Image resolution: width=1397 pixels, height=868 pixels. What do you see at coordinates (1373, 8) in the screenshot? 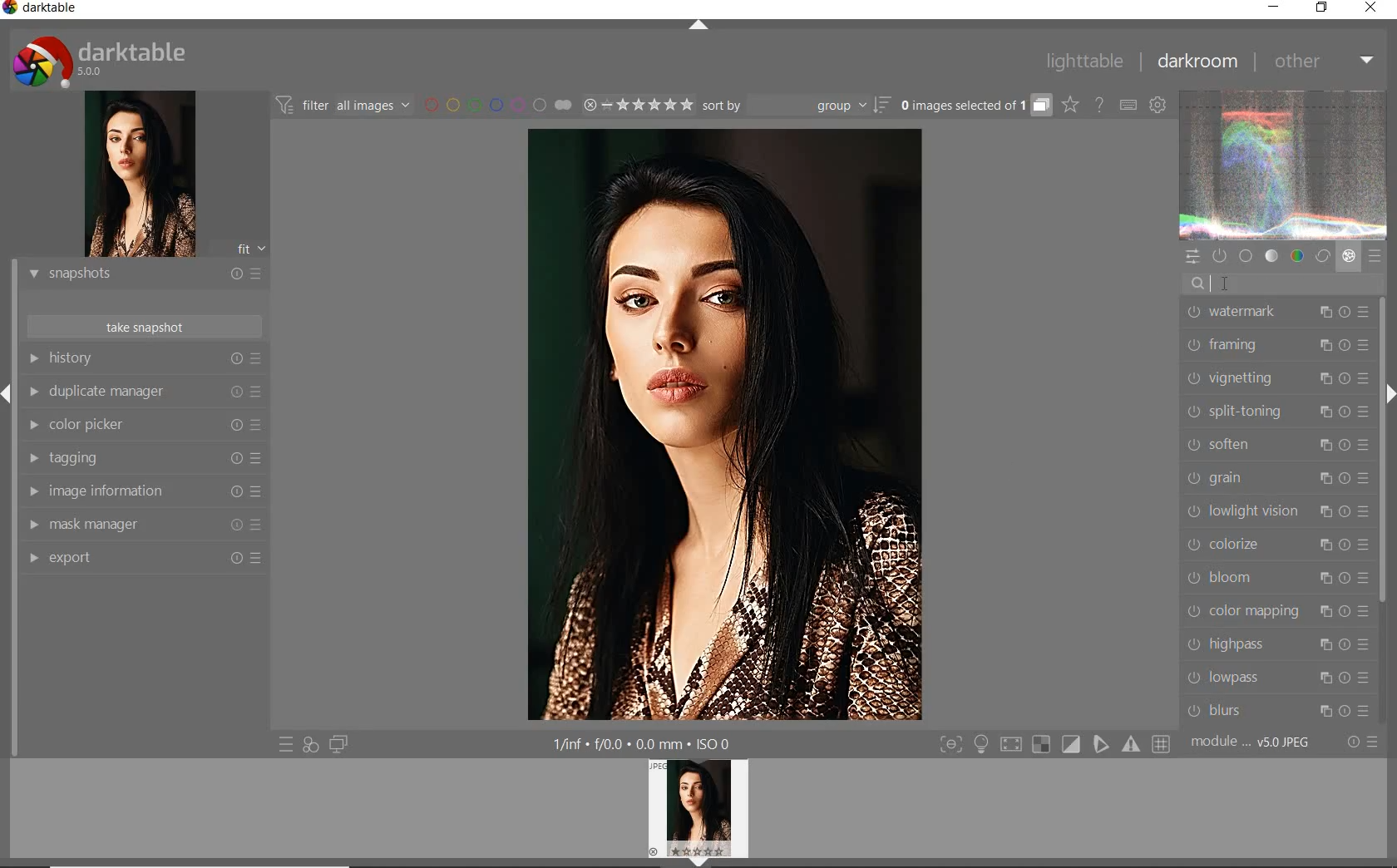
I see `CLOSE` at bounding box center [1373, 8].